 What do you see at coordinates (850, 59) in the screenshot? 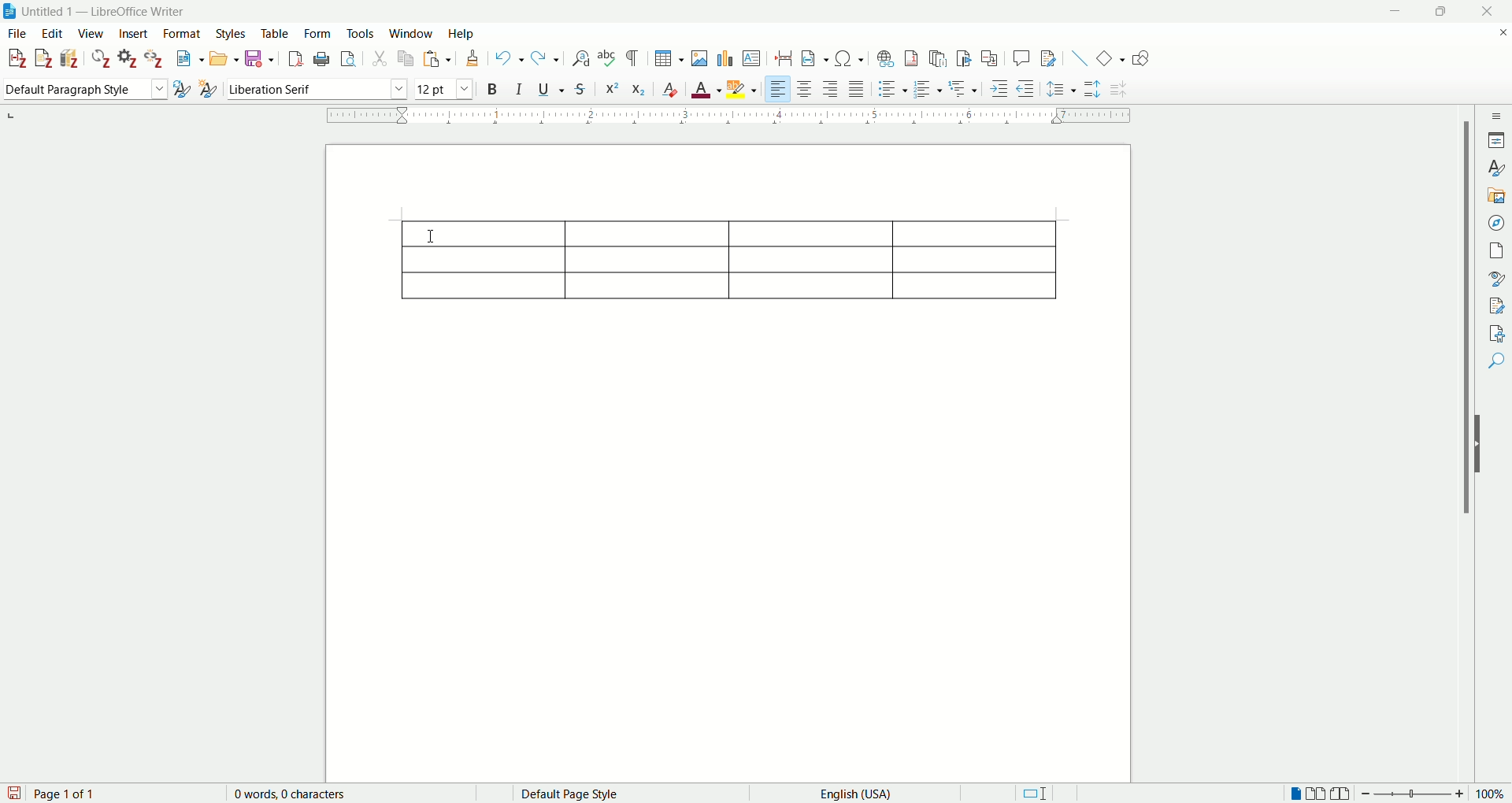
I see `insert special character` at bounding box center [850, 59].